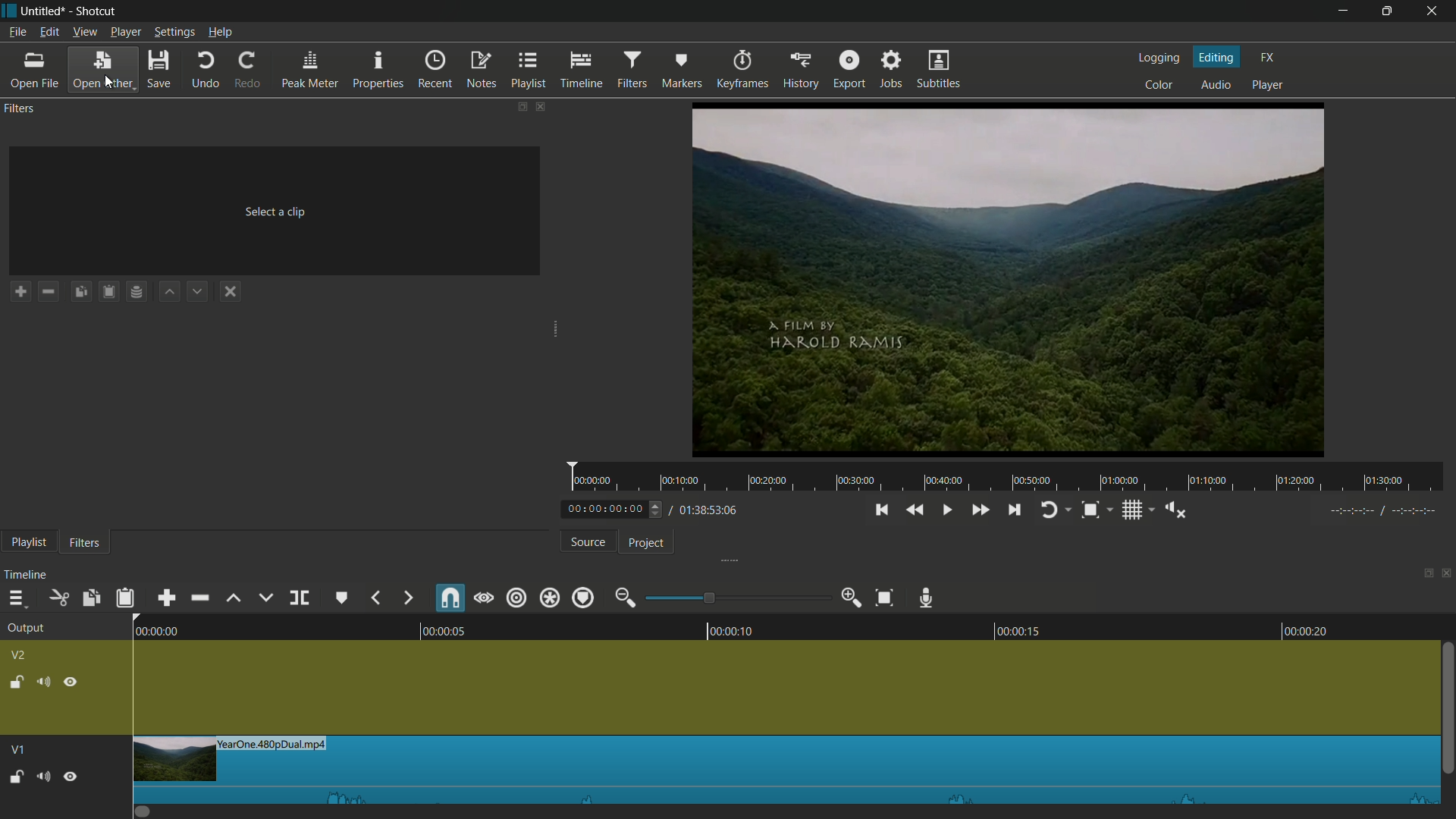  I want to click on export, so click(850, 70).